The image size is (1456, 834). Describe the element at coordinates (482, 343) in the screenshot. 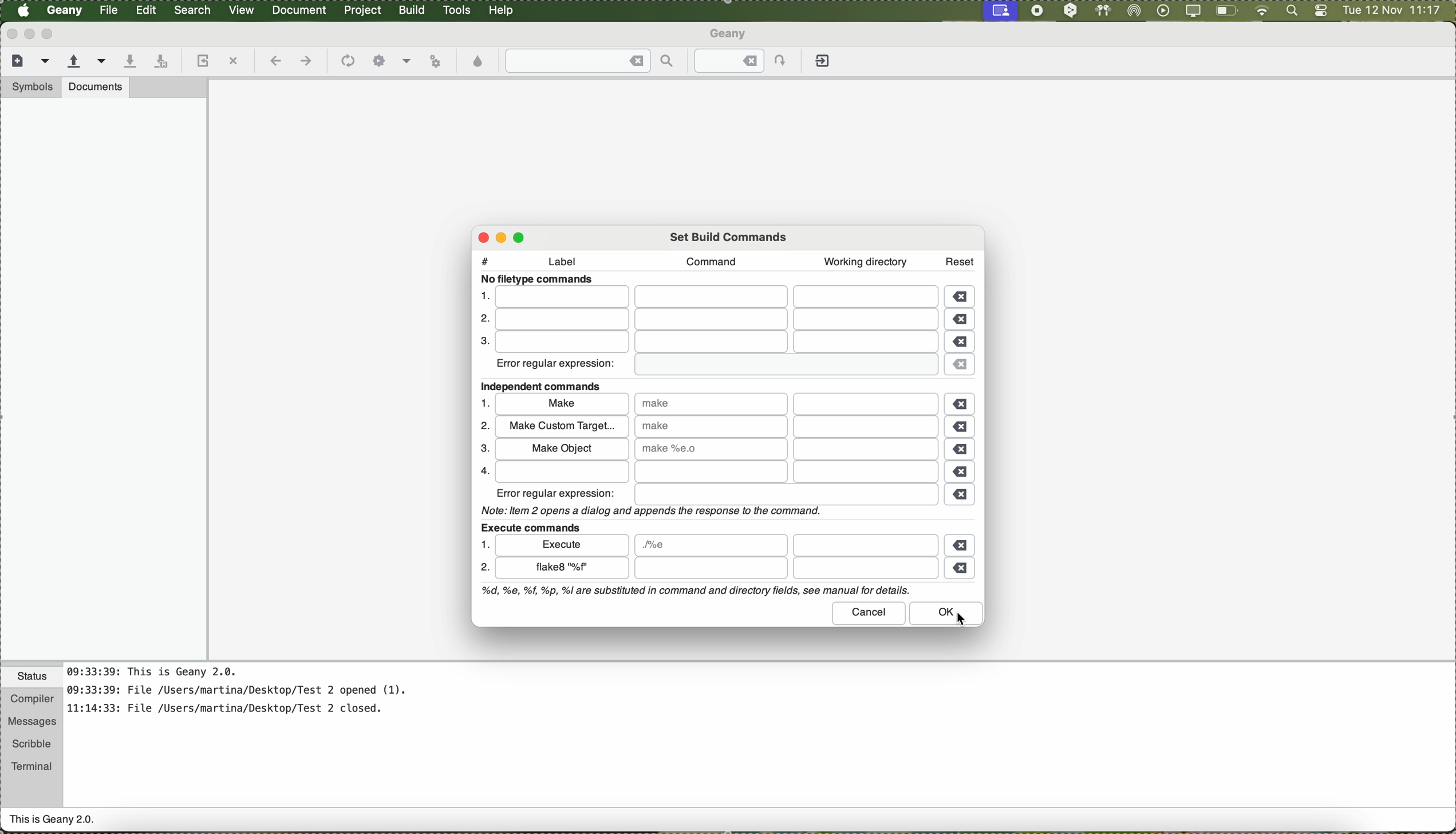

I see `3` at that location.